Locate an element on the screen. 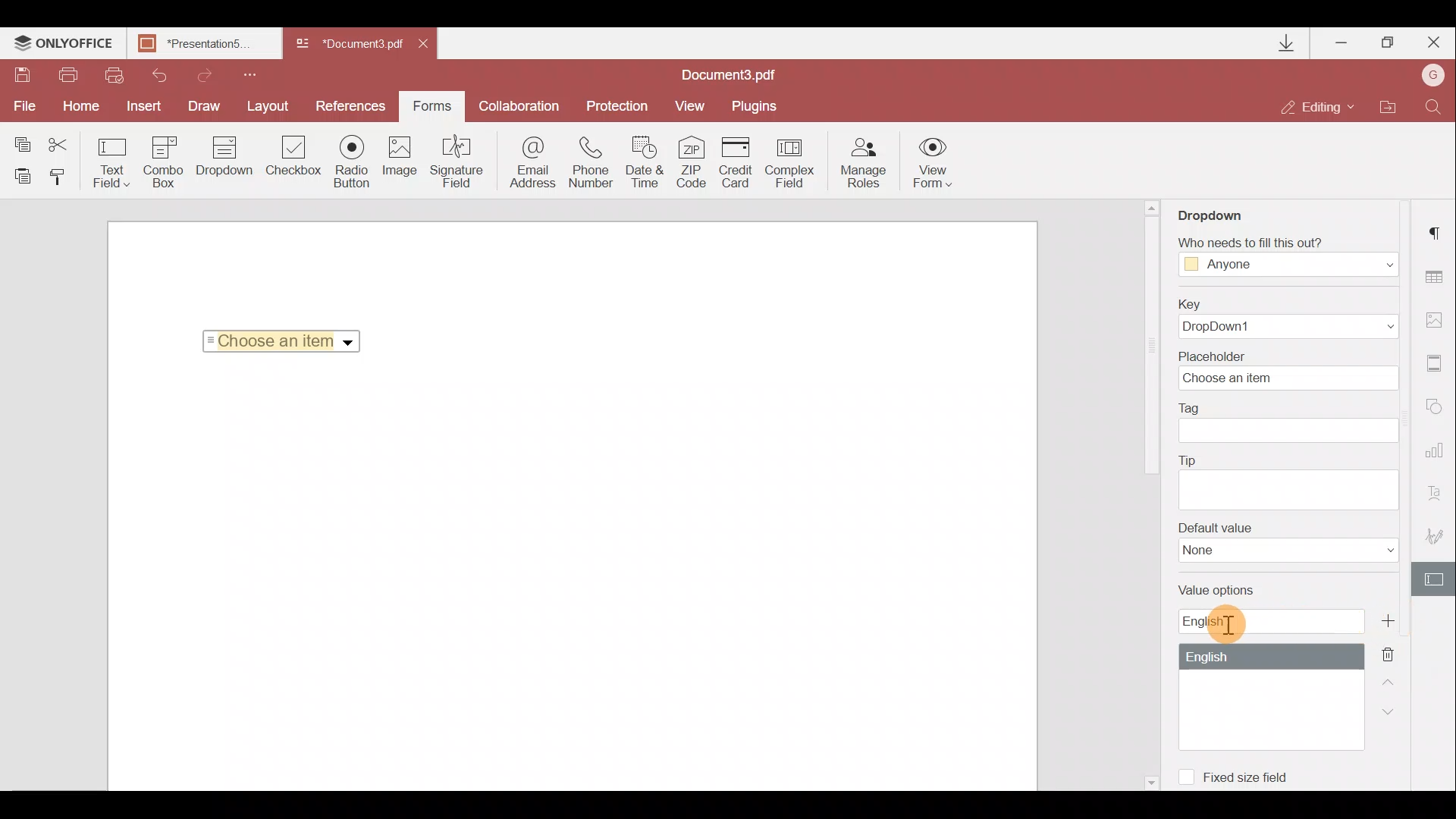 Image resolution: width=1456 pixels, height=819 pixels. Redo is located at coordinates (197, 73).